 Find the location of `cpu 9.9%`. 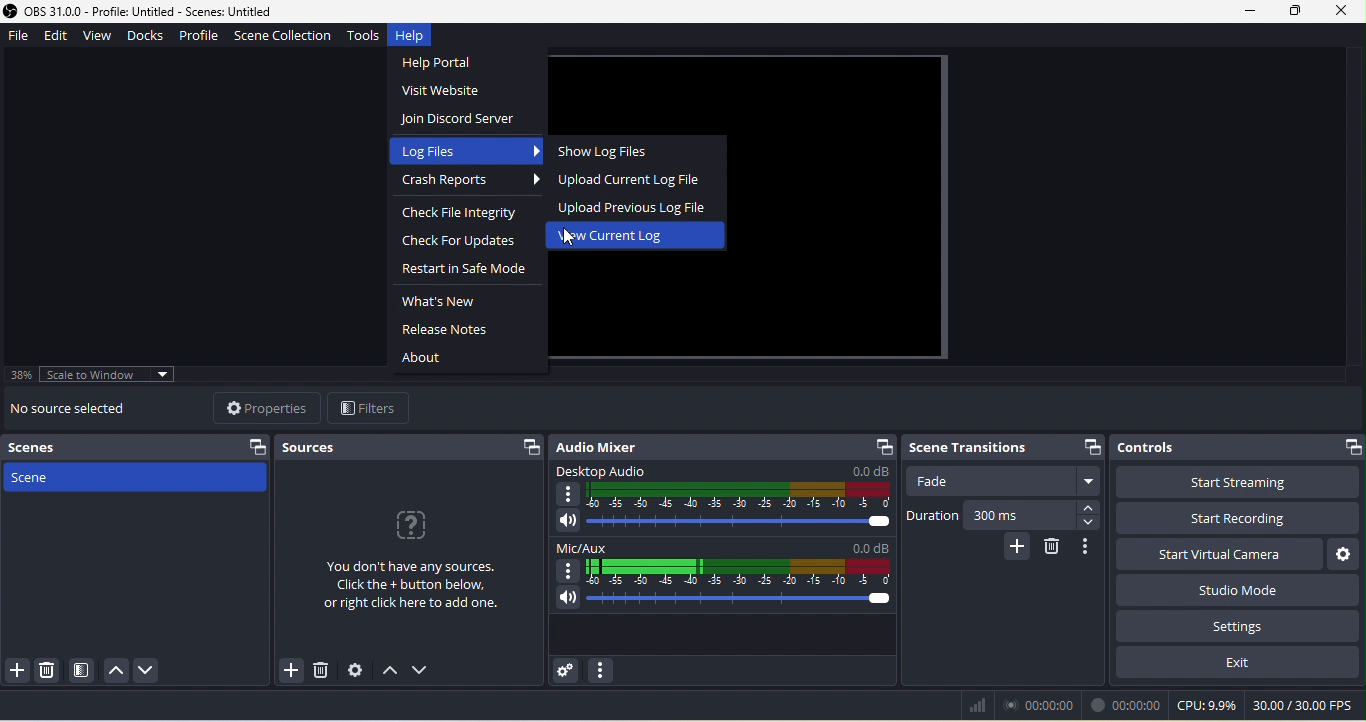

cpu 9.9% is located at coordinates (1207, 707).